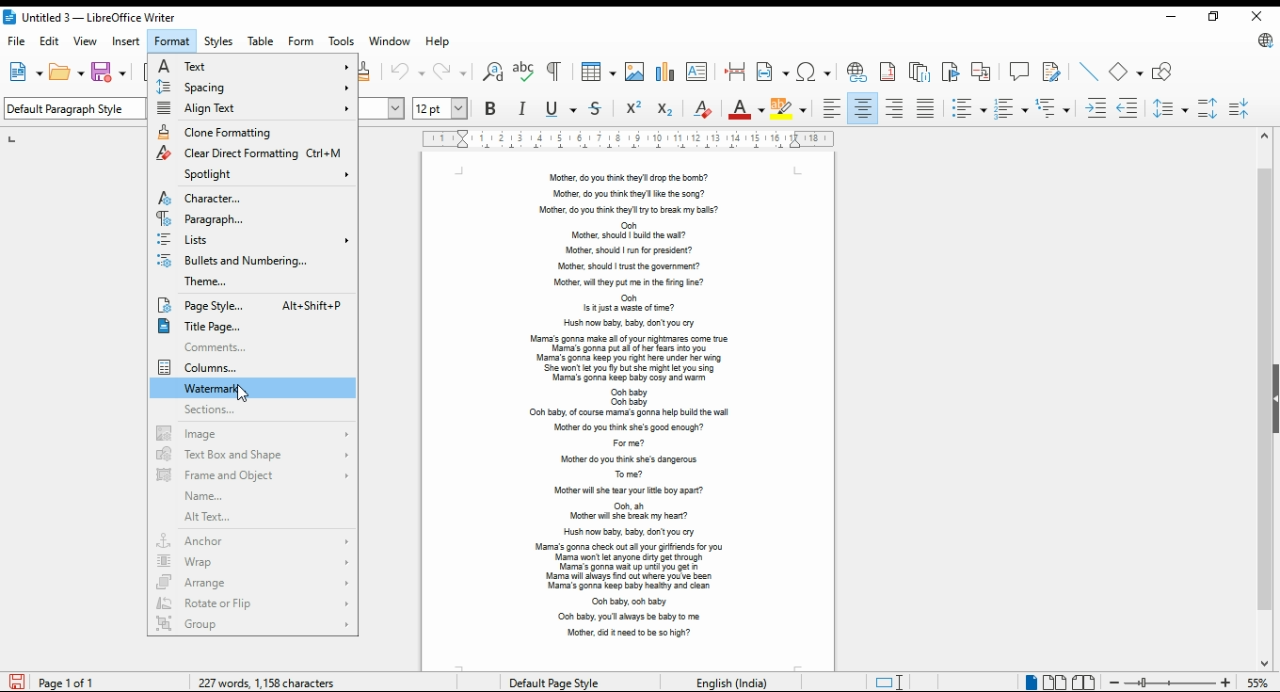  Describe the element at coordinates (369, 71) in the screenshot. I see `clone formatting` at that location.